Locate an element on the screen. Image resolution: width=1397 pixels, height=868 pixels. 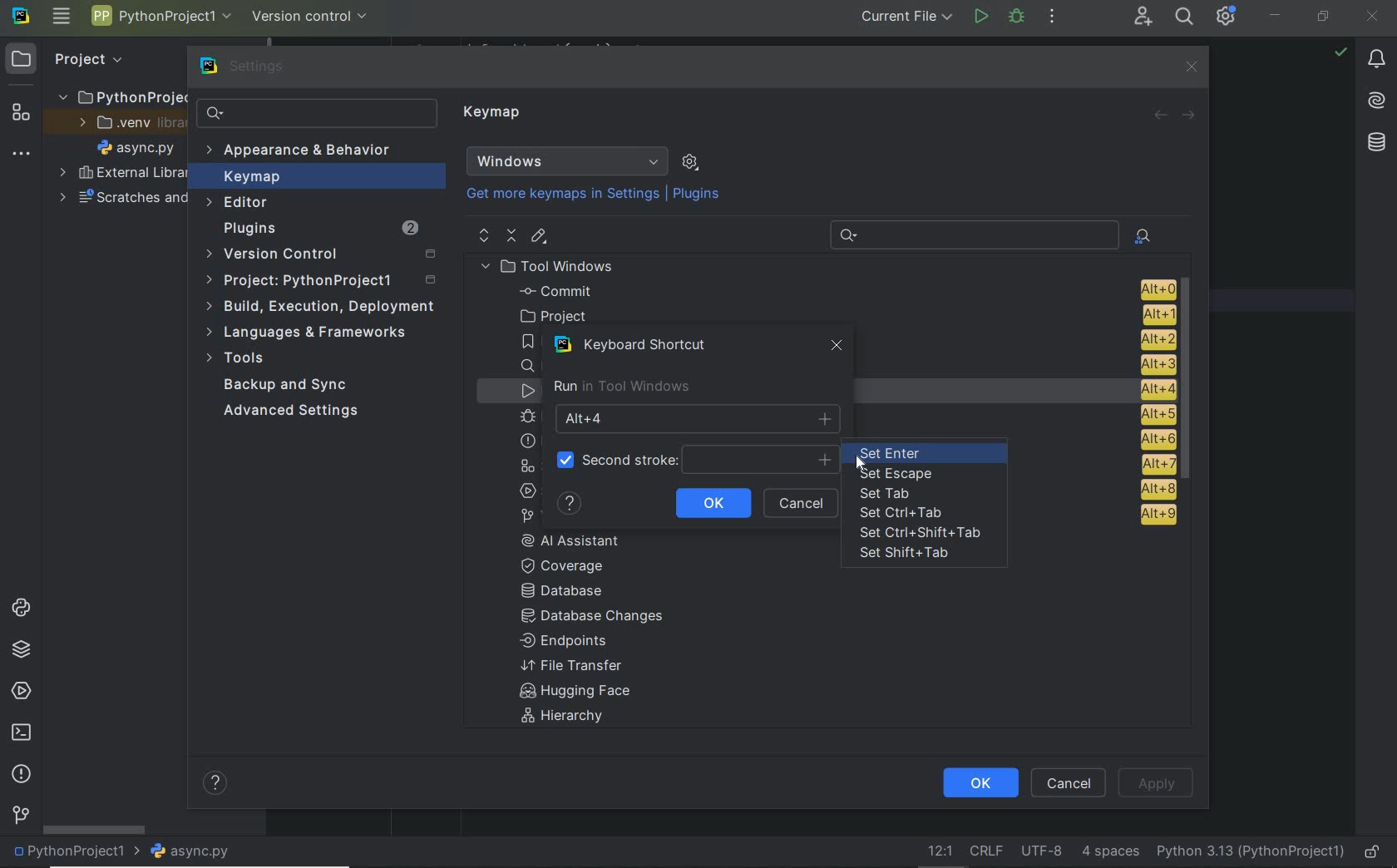
coverage is located at coordinates (572, 565).